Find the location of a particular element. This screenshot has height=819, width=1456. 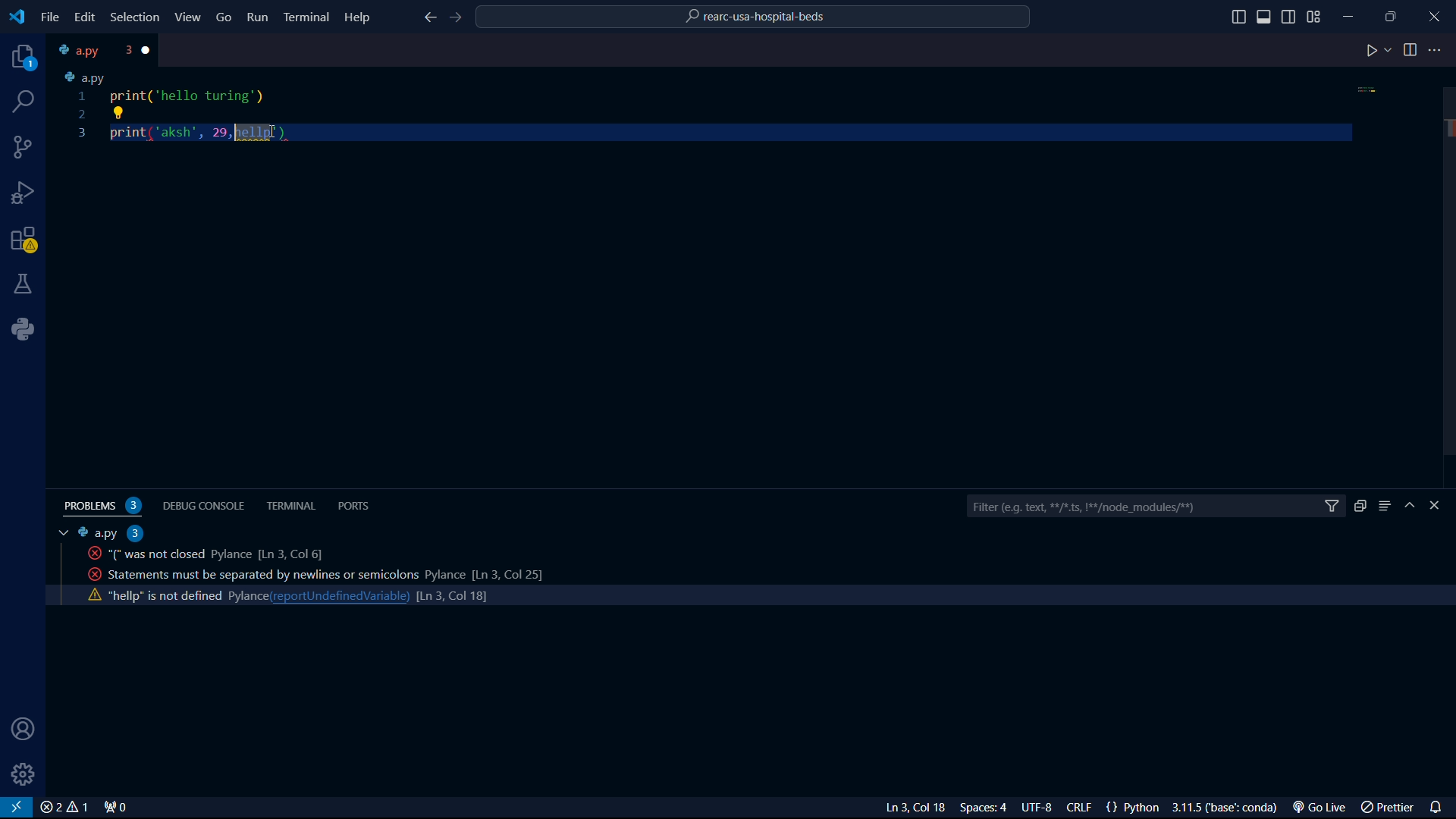

3.1.5 is located at coordinates (1229, 808).